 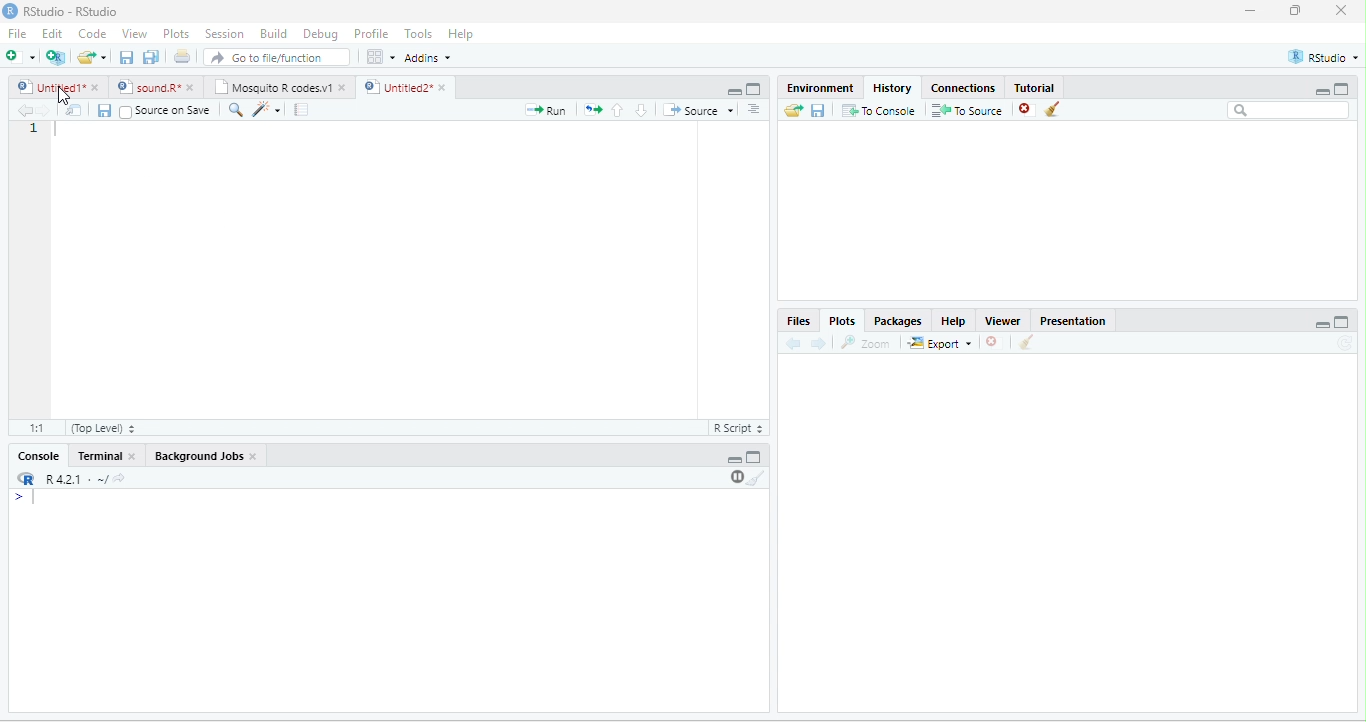 I want to click on Help, so click(x=954, y=321).